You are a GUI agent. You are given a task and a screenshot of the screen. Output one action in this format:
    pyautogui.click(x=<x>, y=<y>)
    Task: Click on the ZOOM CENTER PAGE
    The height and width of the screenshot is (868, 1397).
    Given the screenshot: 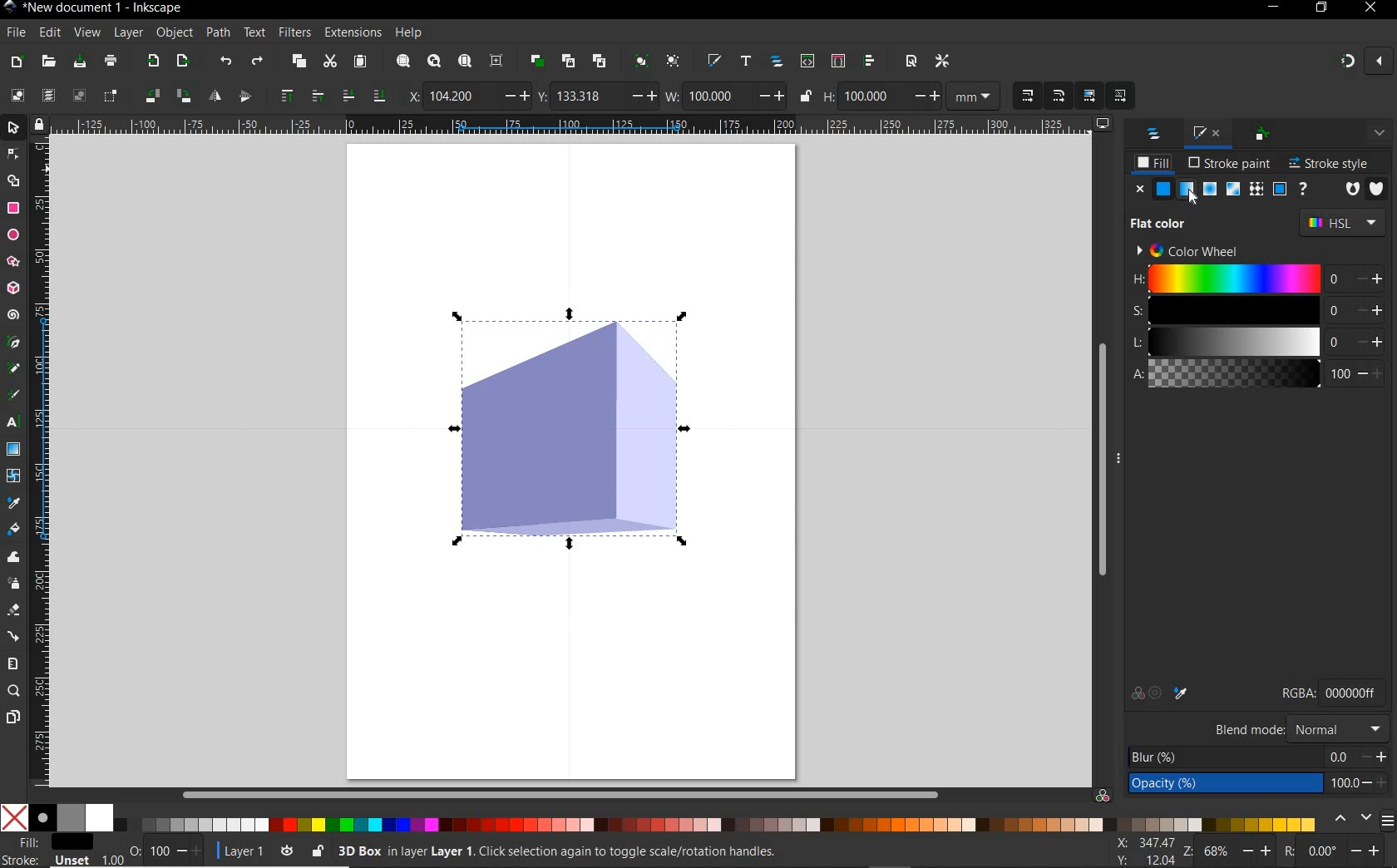 What is the action you would take?
    pyautogui.click(x=497, y=60)
    